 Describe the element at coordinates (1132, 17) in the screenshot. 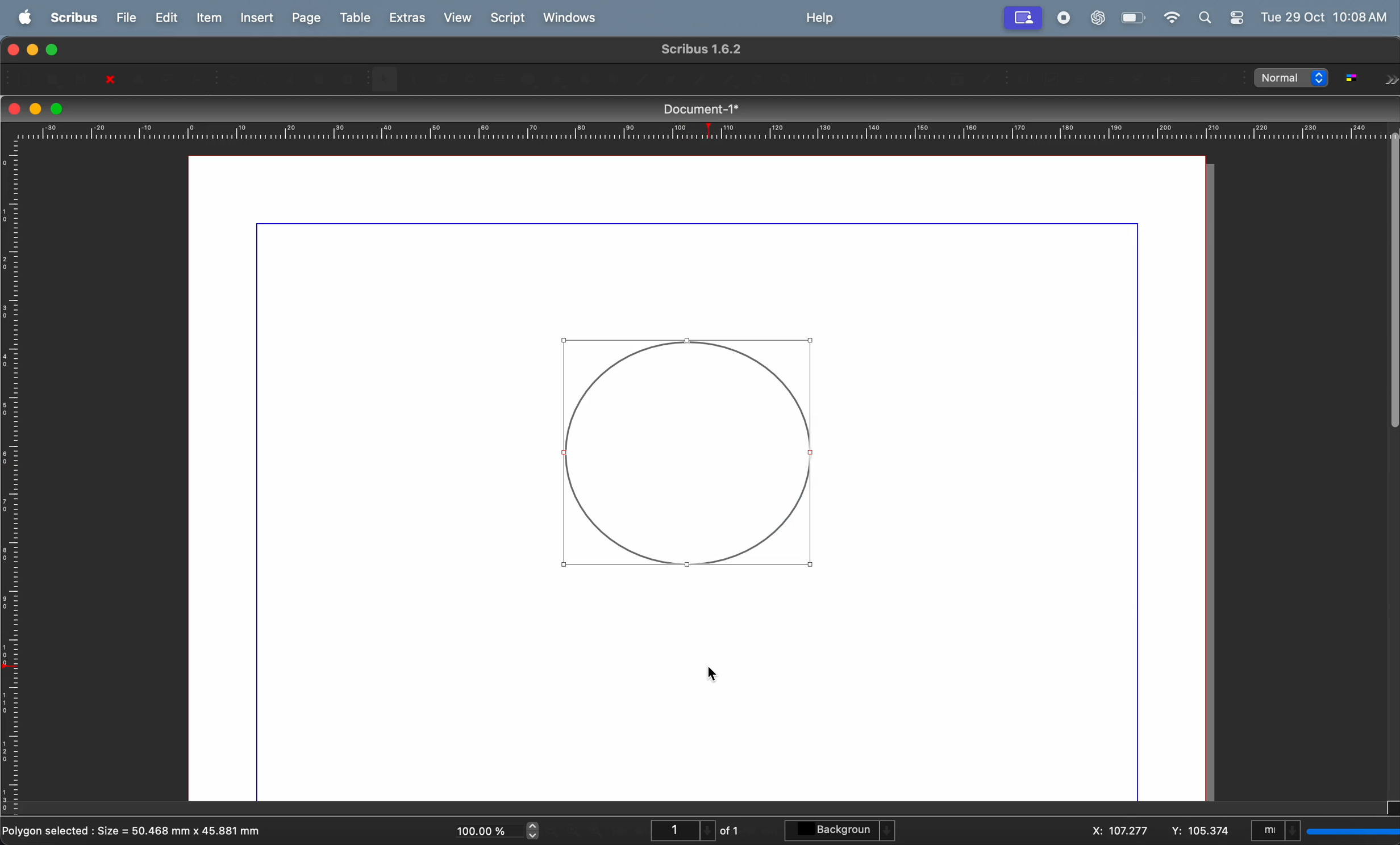

I see `battery` at that location.